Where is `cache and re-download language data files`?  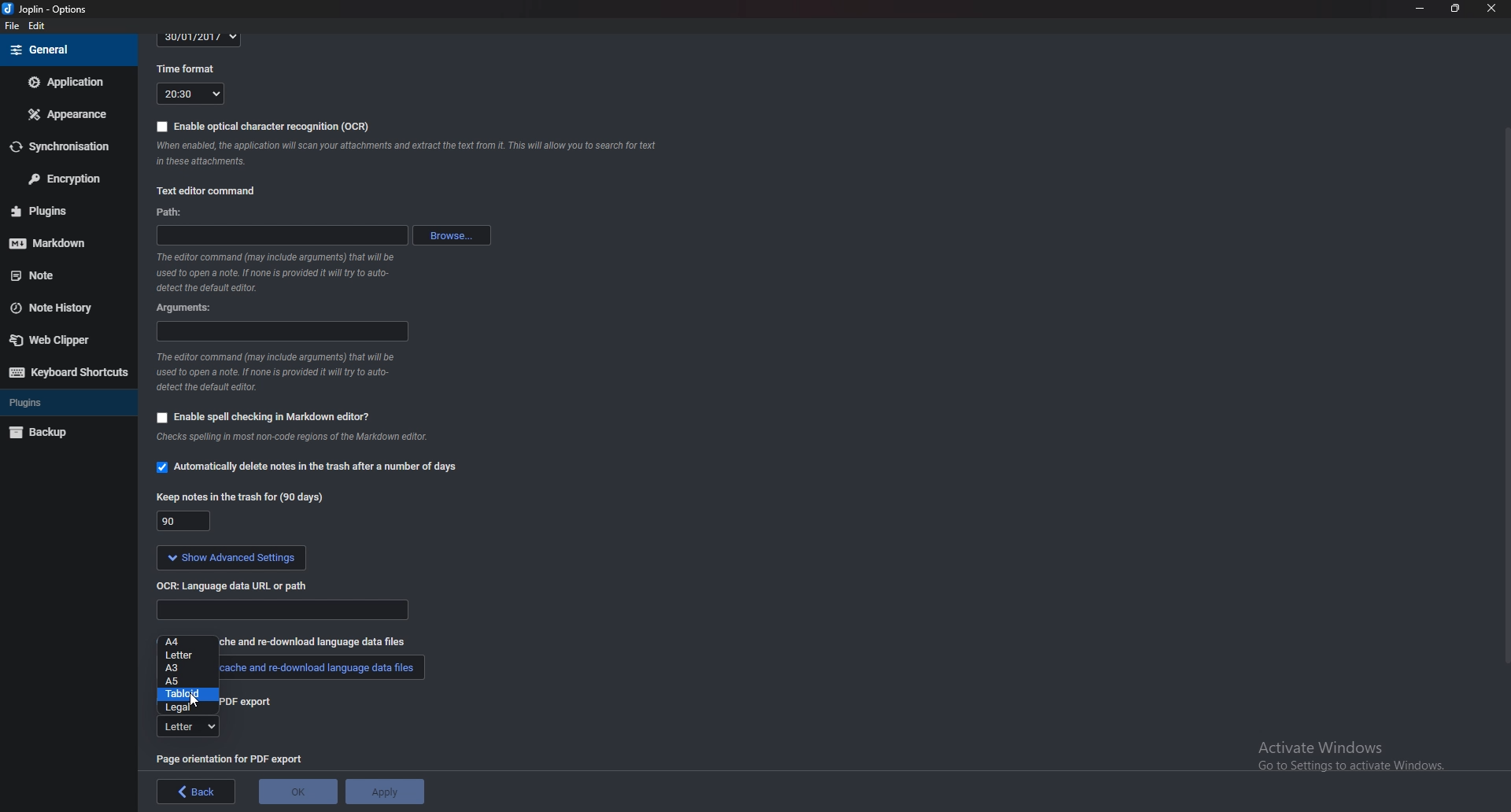 cache and re-download language data files is located at coordinates (319, 640).